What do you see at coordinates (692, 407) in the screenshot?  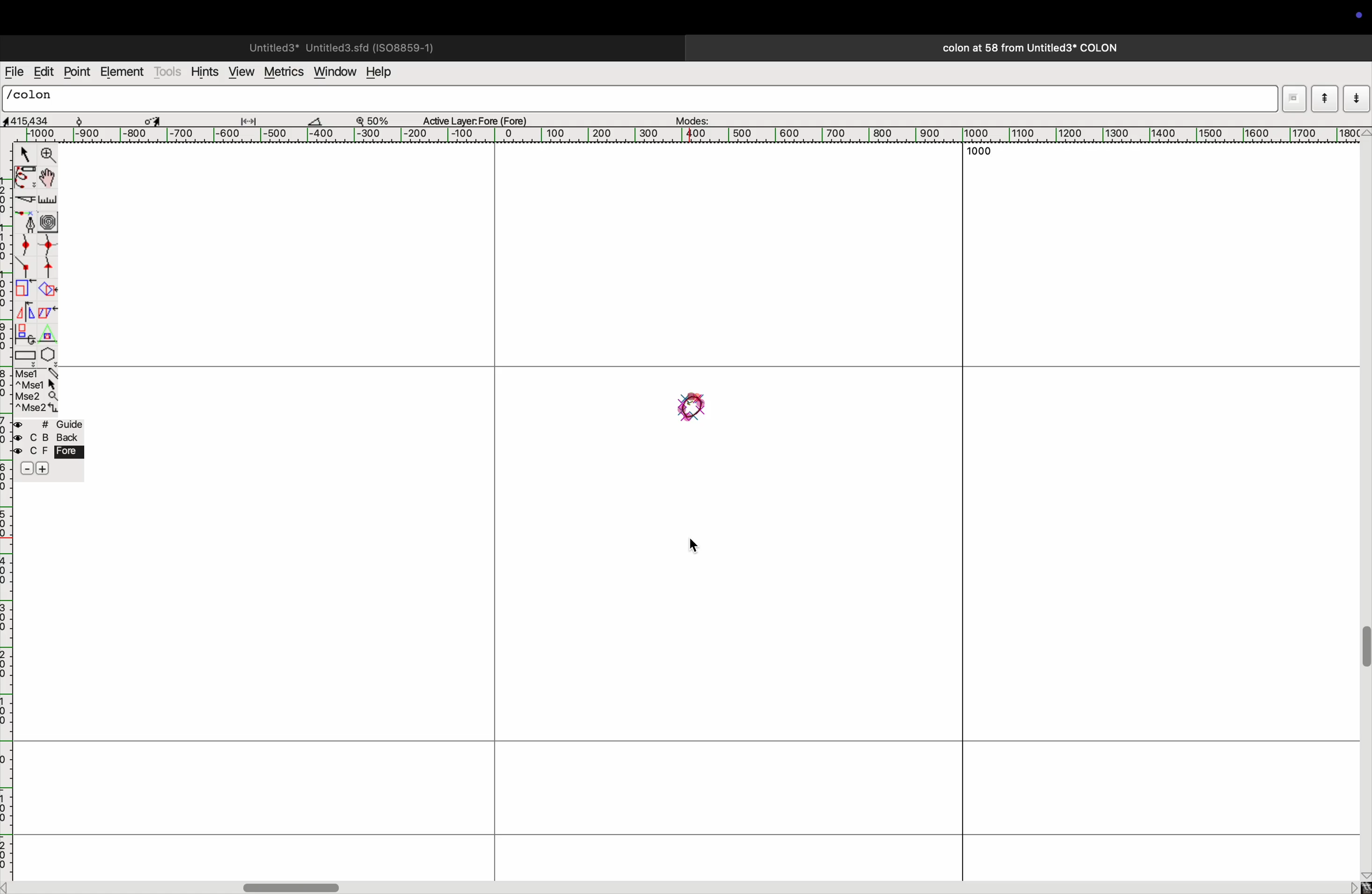 I see `Drawing of upper part of colon` at bounding box center [692, 407].